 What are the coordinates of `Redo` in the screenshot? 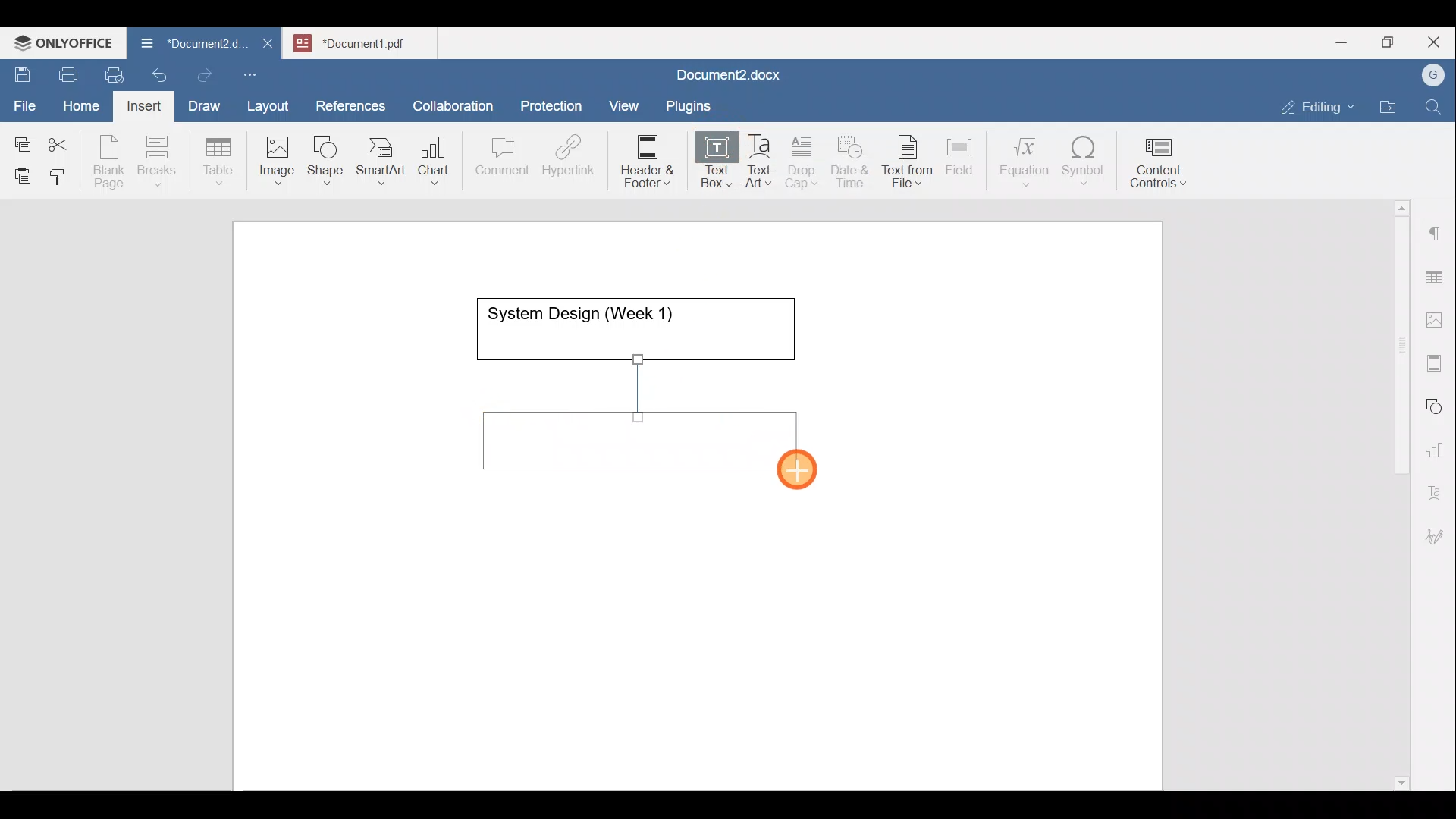 It's located at (204, 76).